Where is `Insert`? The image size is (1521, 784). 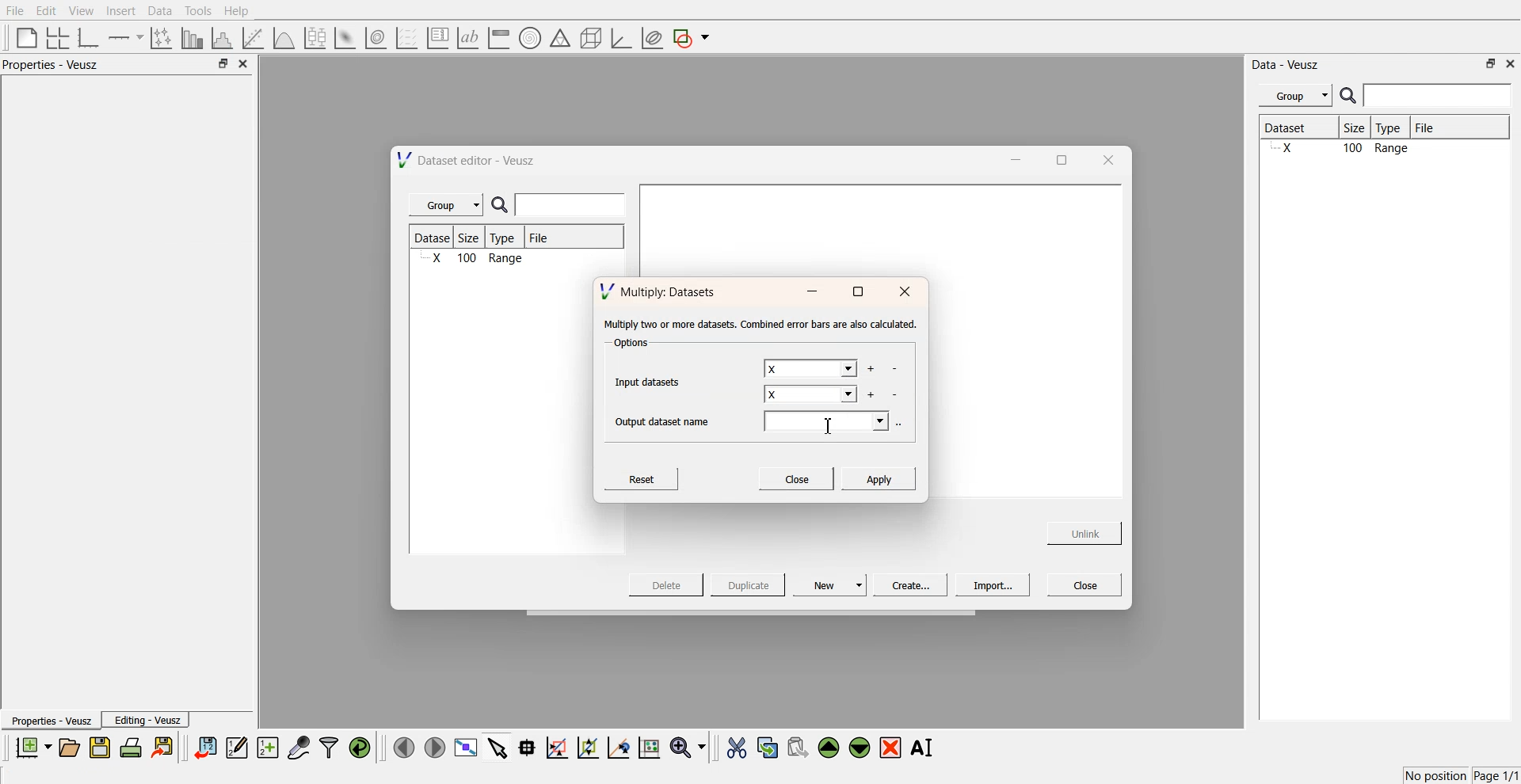 Insert is located at coordinates (119, 11).